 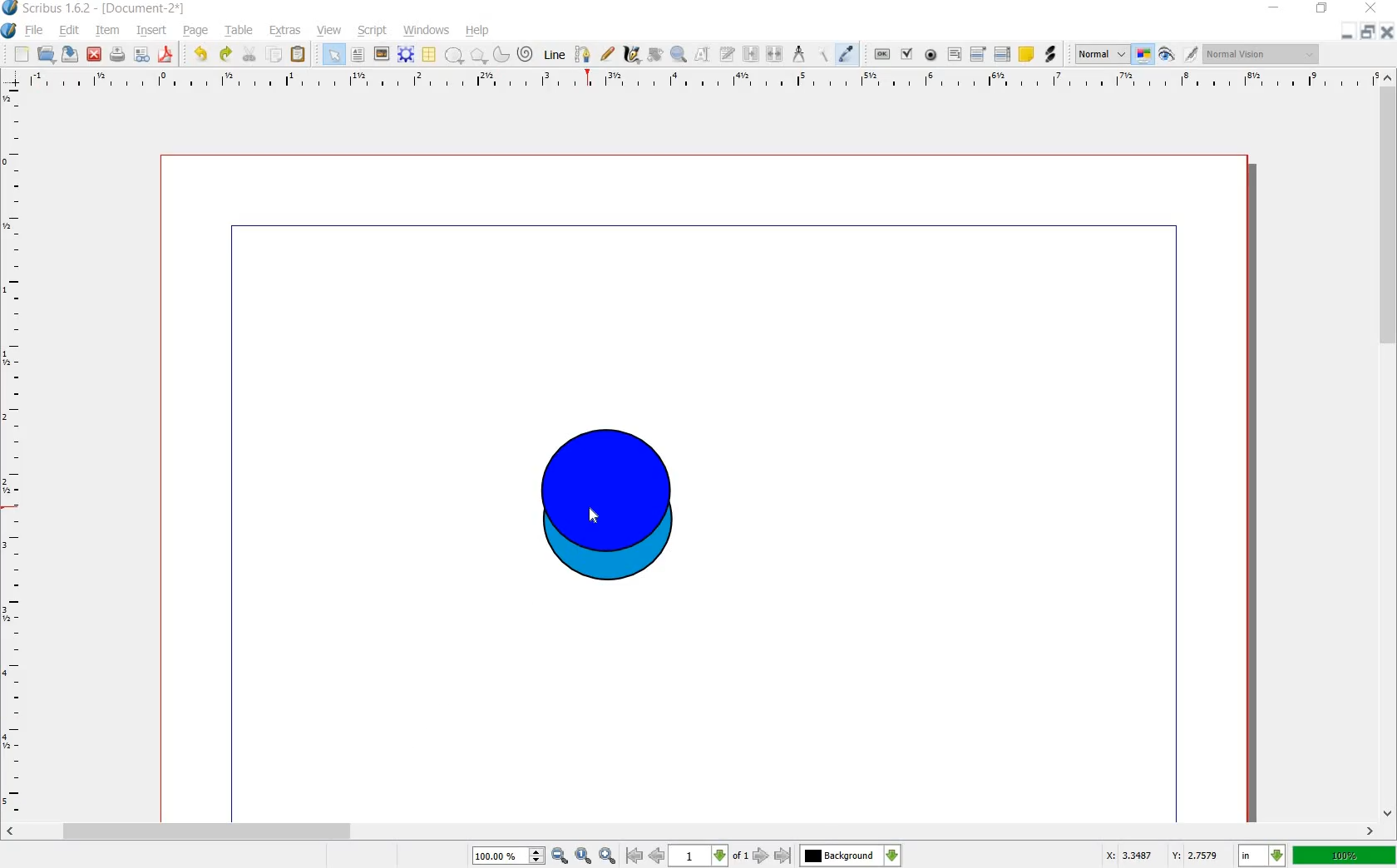 I want to click on calligraphic line, so click(x=631, y=57).